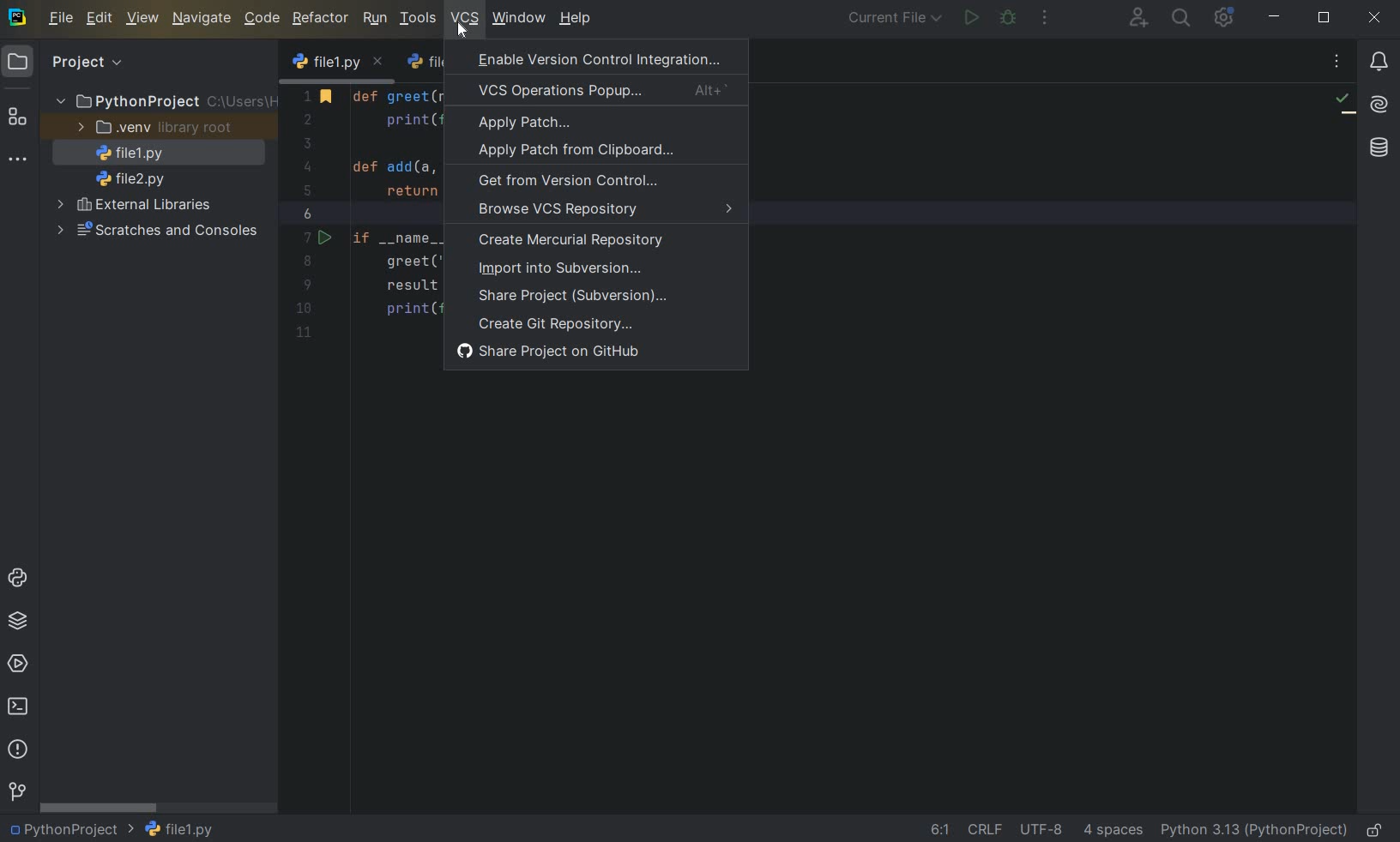 Image resolution: width=1400 pixels, height=842 pixels. I want to click on enable version control integration, so click(597, 59).